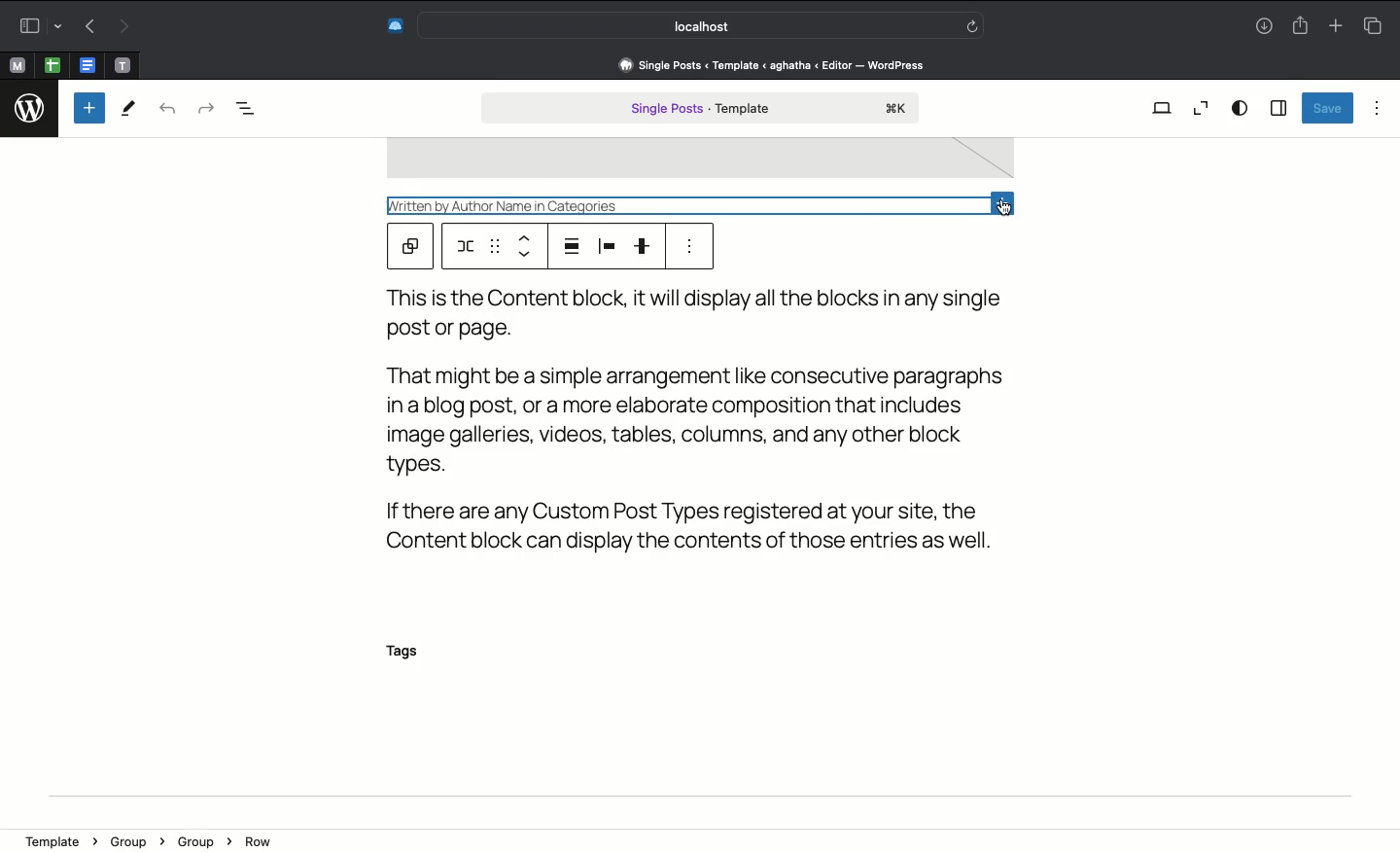  What do you see at coordinates (494, 248) in the screenshot?
I see `Drag` at bounding box center [494, 248].